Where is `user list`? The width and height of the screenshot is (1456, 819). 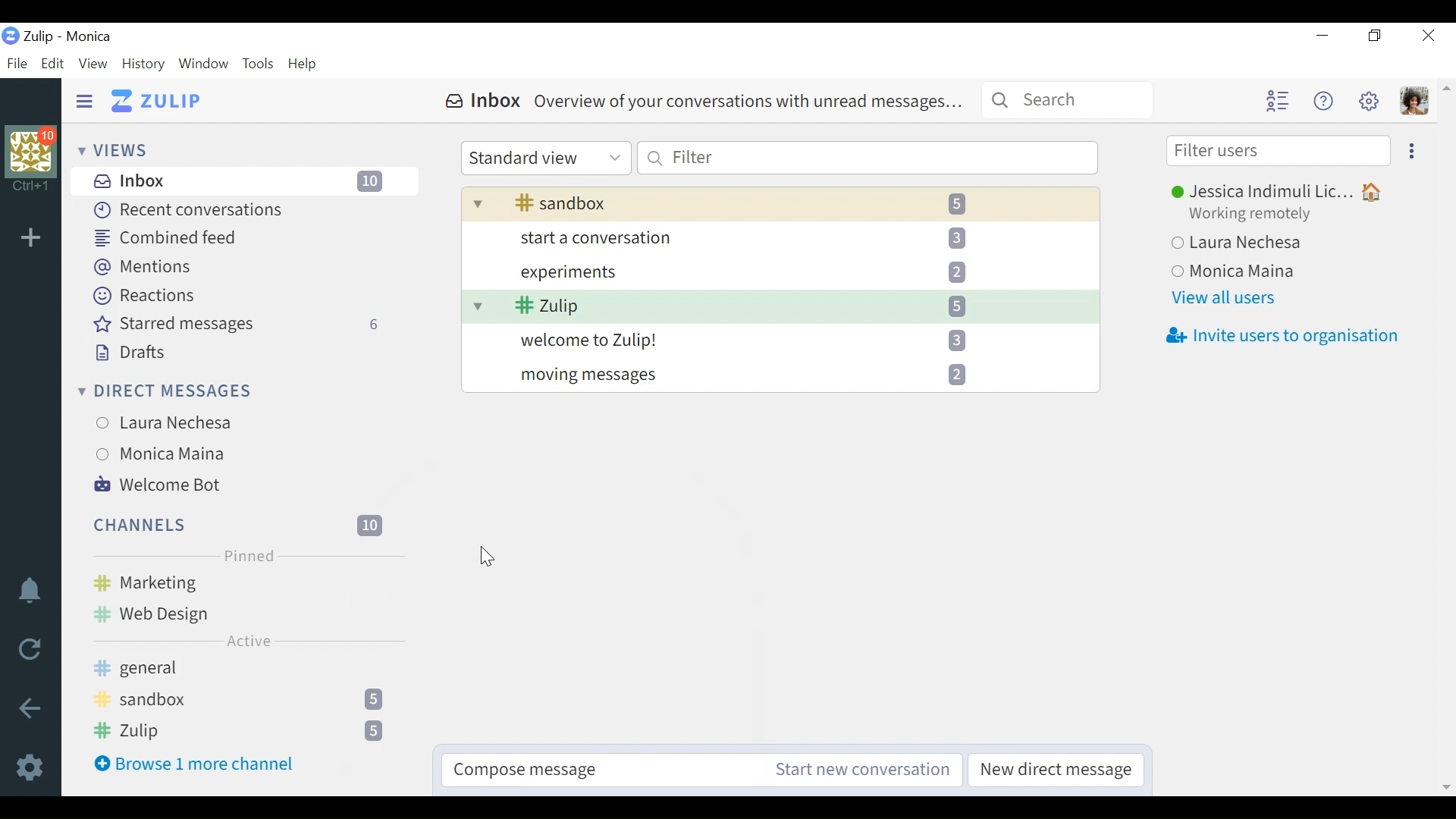
user list is located at coordinates (1276, 101).